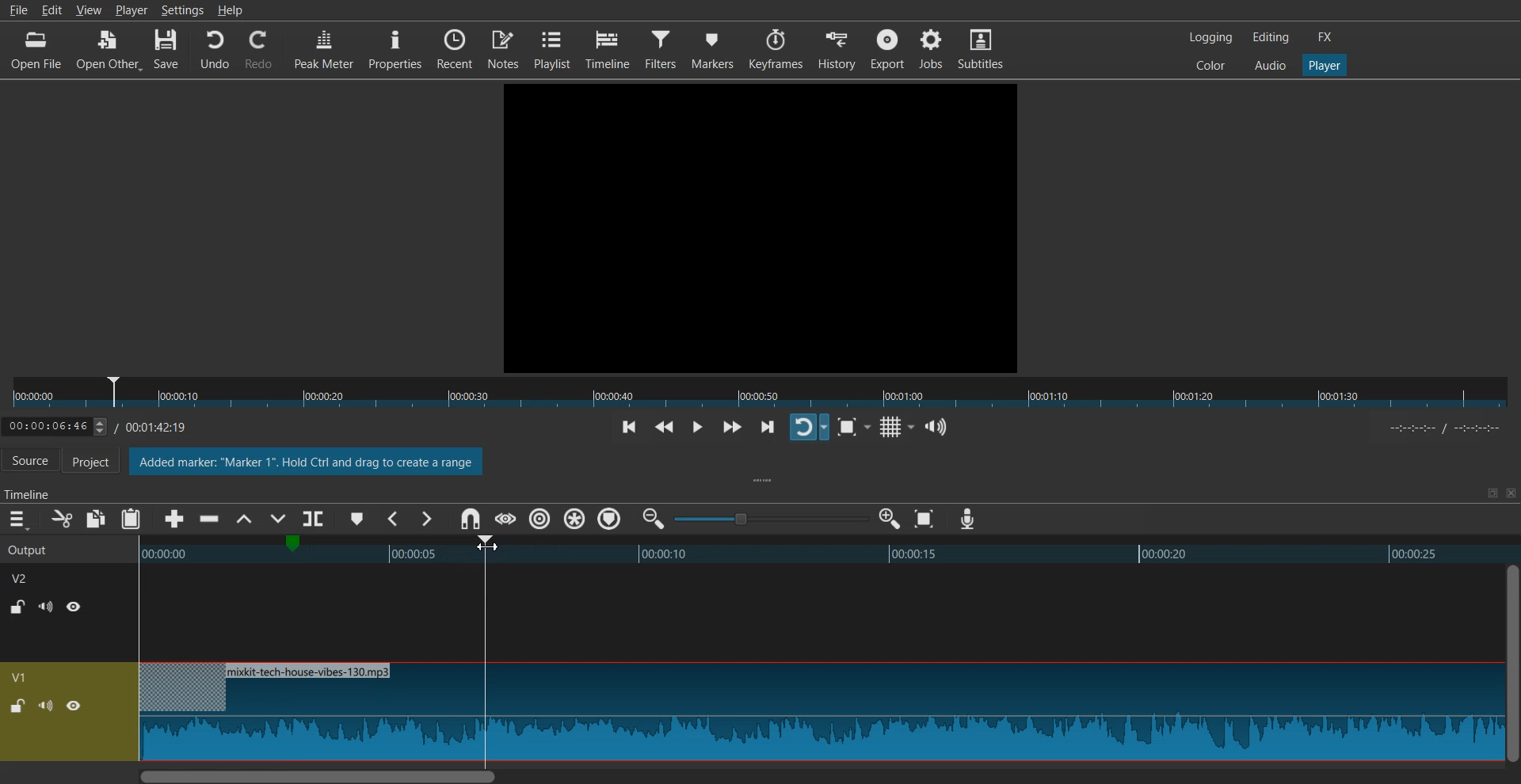  What do you see at coordinates (503, 48) in the screenshot?
I see `Notes` at bounding box center [503, 48].